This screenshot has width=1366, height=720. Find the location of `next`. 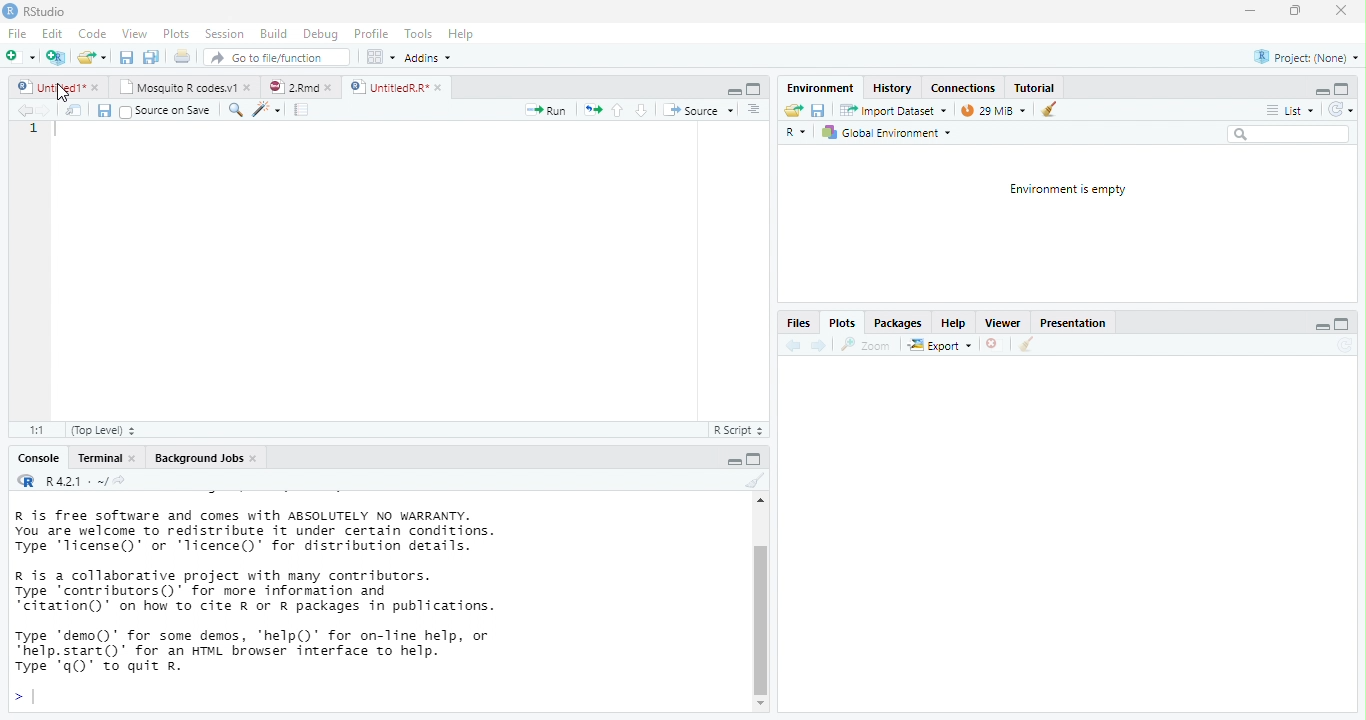

next is located at coordinates (819, 345).